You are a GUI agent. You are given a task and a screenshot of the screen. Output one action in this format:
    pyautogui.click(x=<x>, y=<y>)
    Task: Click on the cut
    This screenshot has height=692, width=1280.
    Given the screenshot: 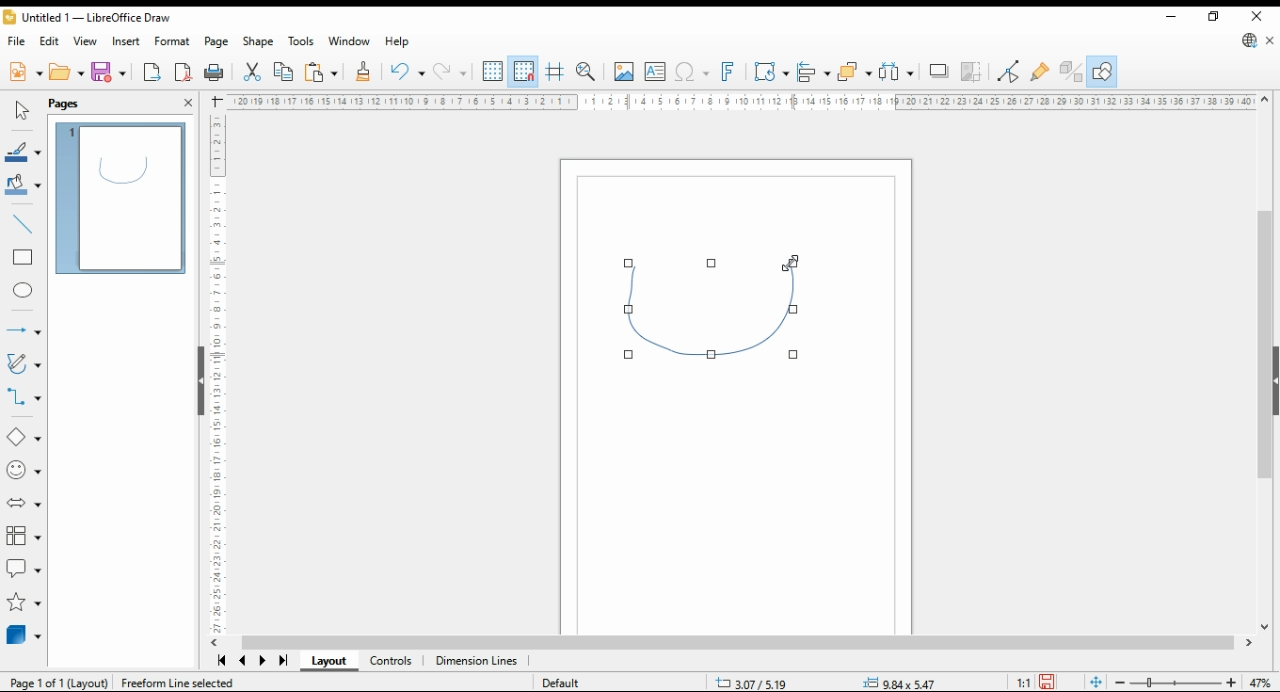 What is the action you would take?
    pyautogui.click(x=251, y=73)
    